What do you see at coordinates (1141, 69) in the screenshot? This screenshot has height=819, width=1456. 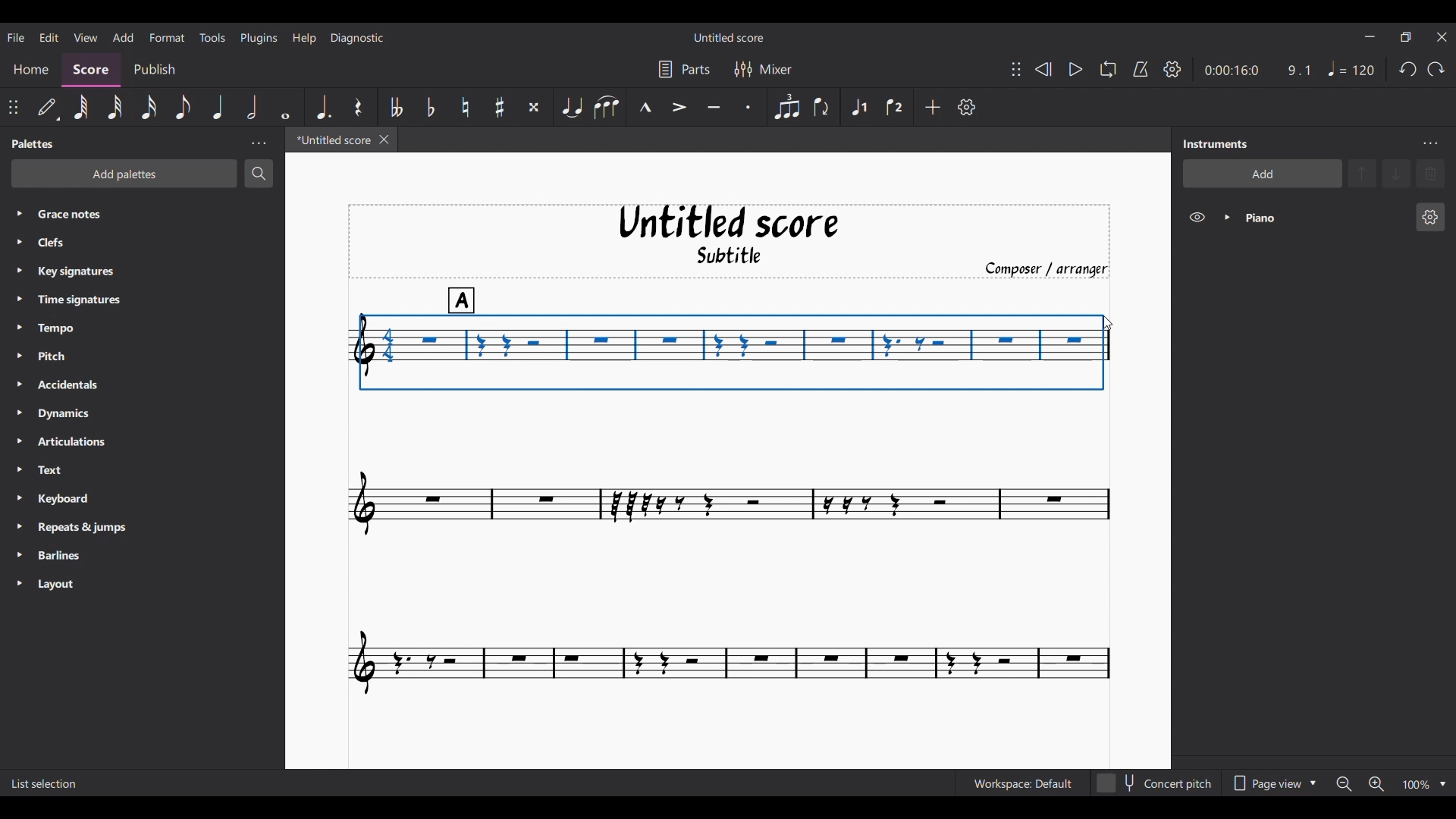 I see `Metronome` at bounding box center [1141, 69].